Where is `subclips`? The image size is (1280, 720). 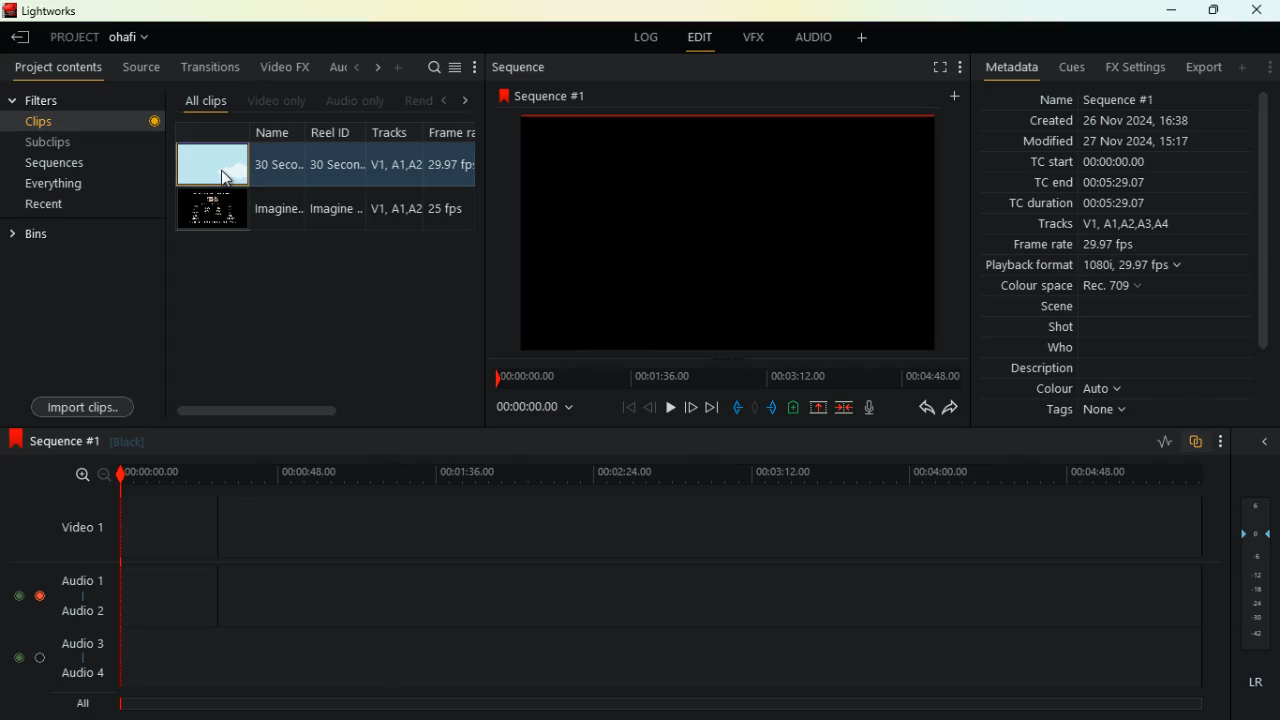 subclips is located at coordinates (60, 143).